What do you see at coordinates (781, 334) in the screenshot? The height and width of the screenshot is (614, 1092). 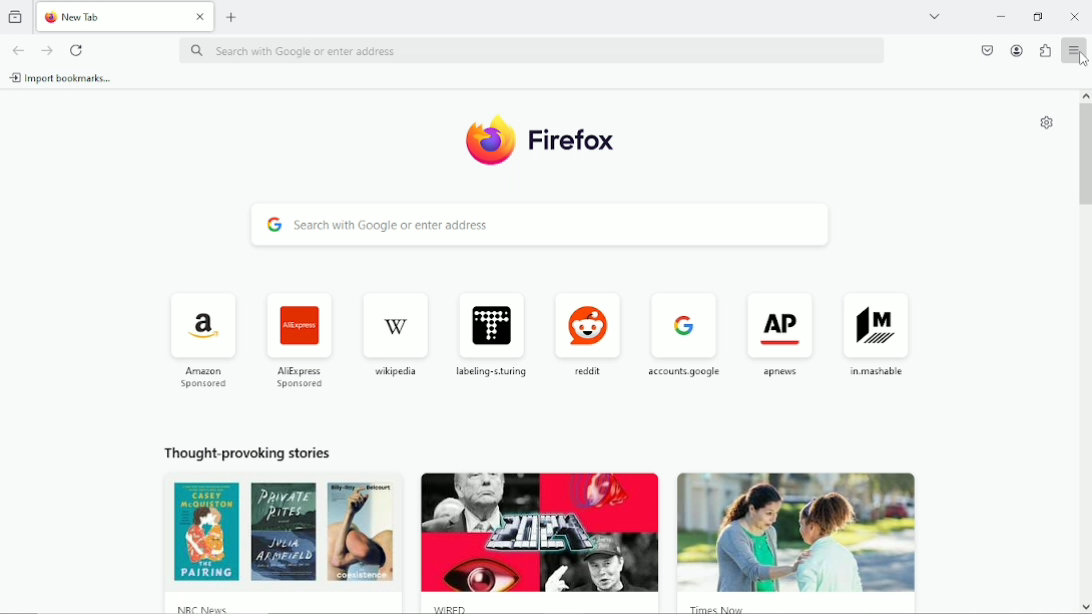 I see `apnews` at bounding box center [781, 334].